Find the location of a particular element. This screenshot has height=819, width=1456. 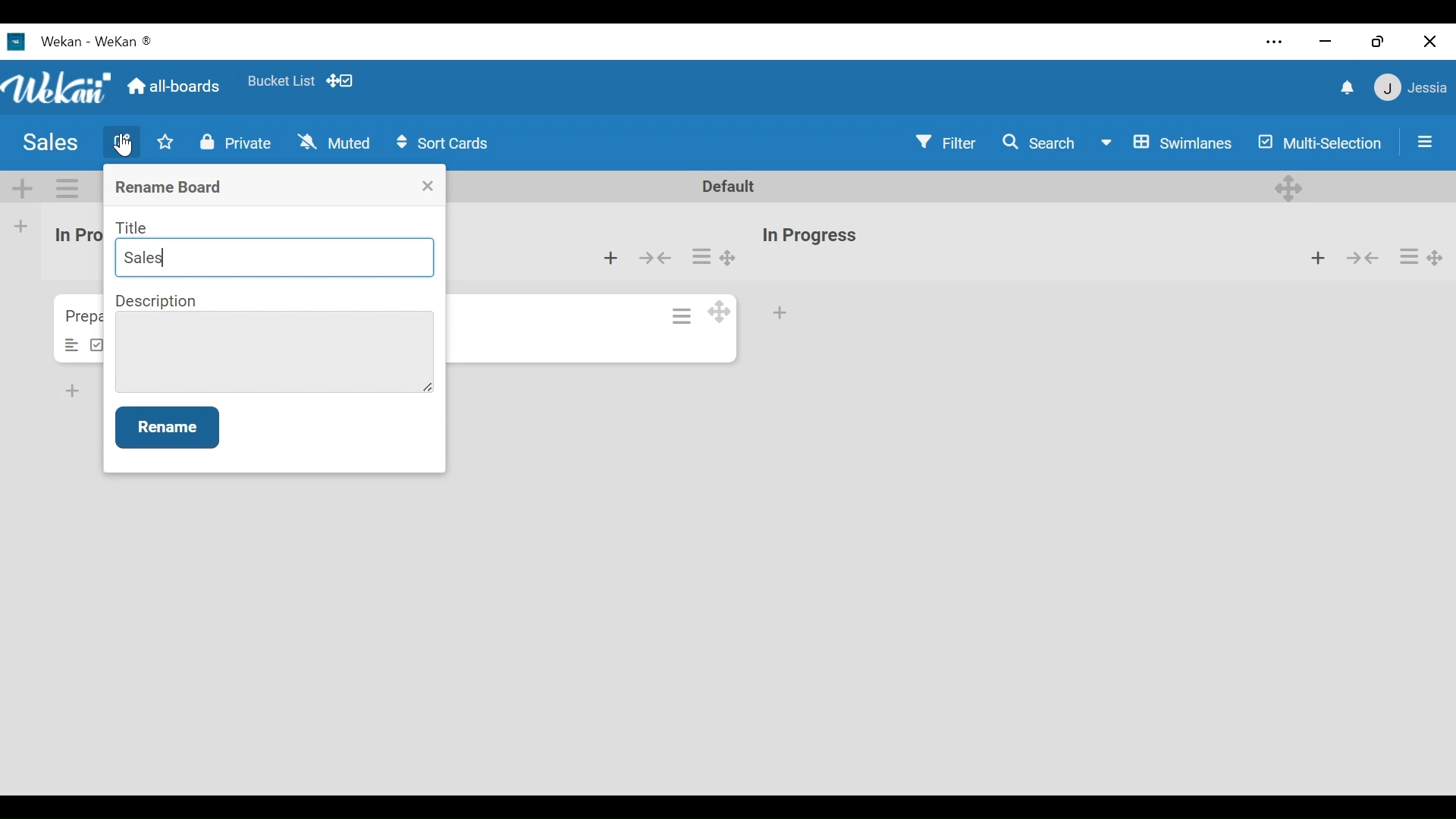

settings and more is located at coordinates (1272, 42).